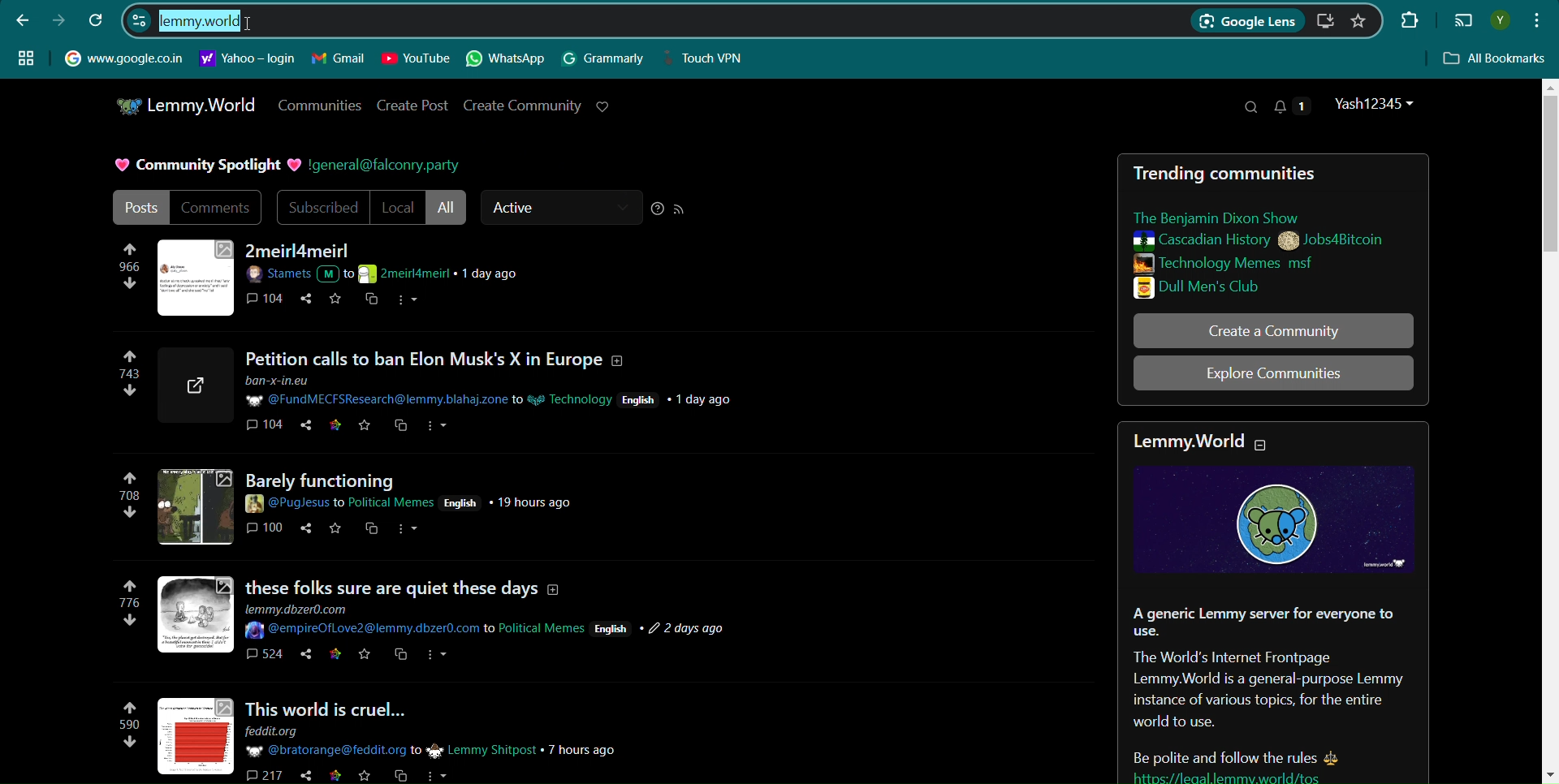 The height and width of the screenshot is (784, 1559). Describe the element at coordinates (200, 734) in the screenshot. I see `image` at that location.